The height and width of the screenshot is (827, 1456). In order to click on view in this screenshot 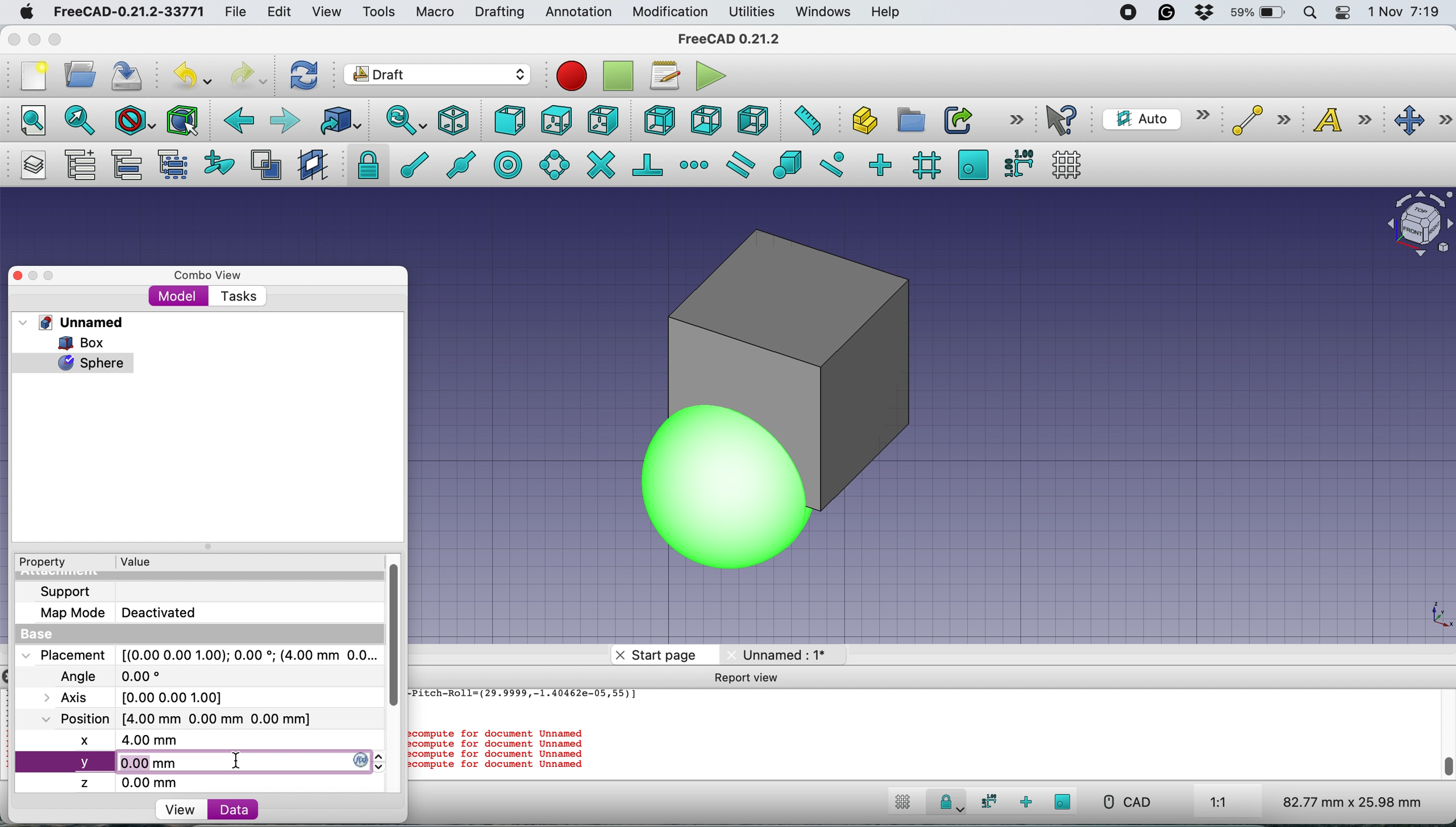, I will do `click(180, 810)`.